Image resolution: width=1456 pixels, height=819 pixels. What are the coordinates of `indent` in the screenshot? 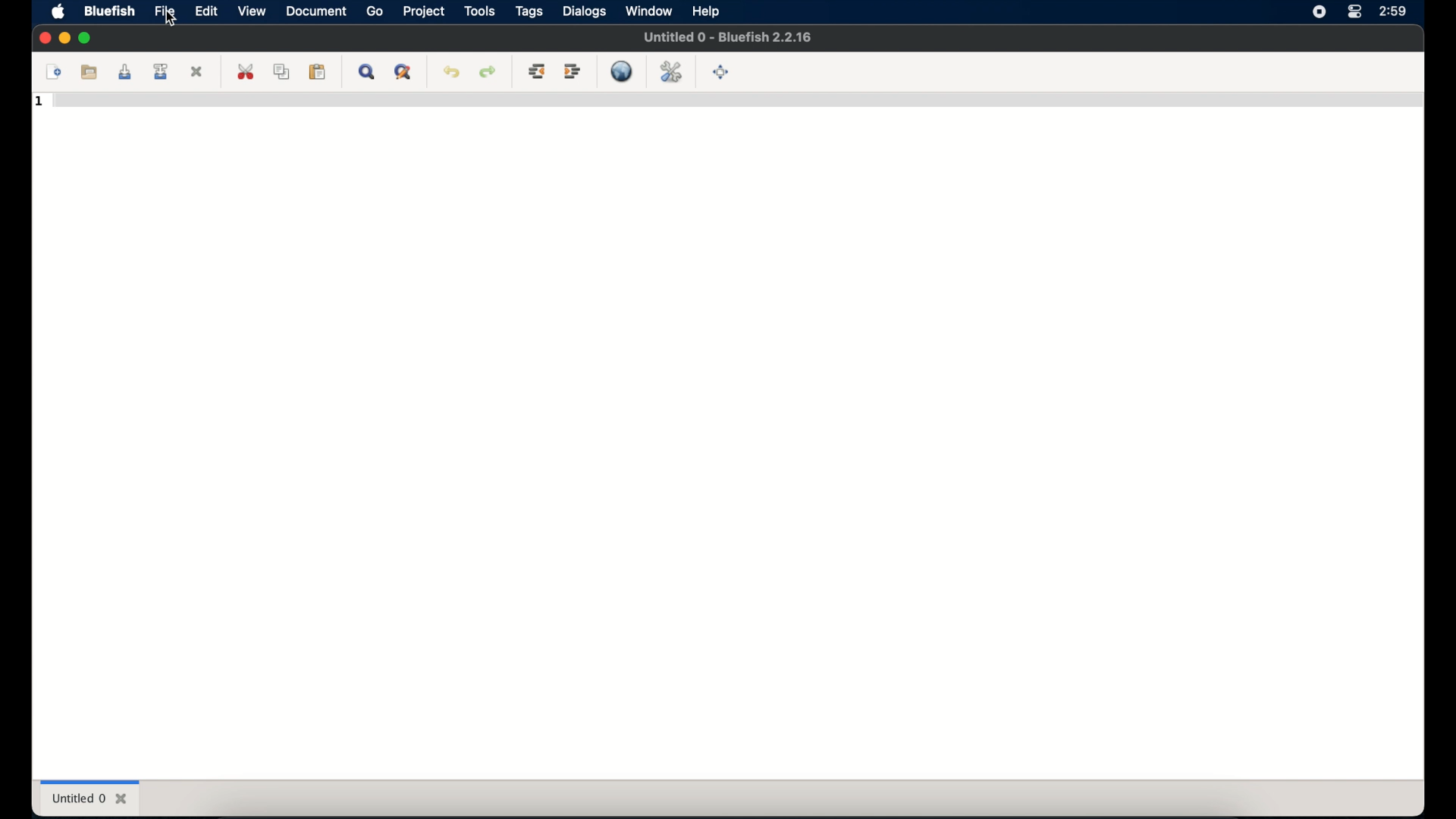 It's located at (573, 71).